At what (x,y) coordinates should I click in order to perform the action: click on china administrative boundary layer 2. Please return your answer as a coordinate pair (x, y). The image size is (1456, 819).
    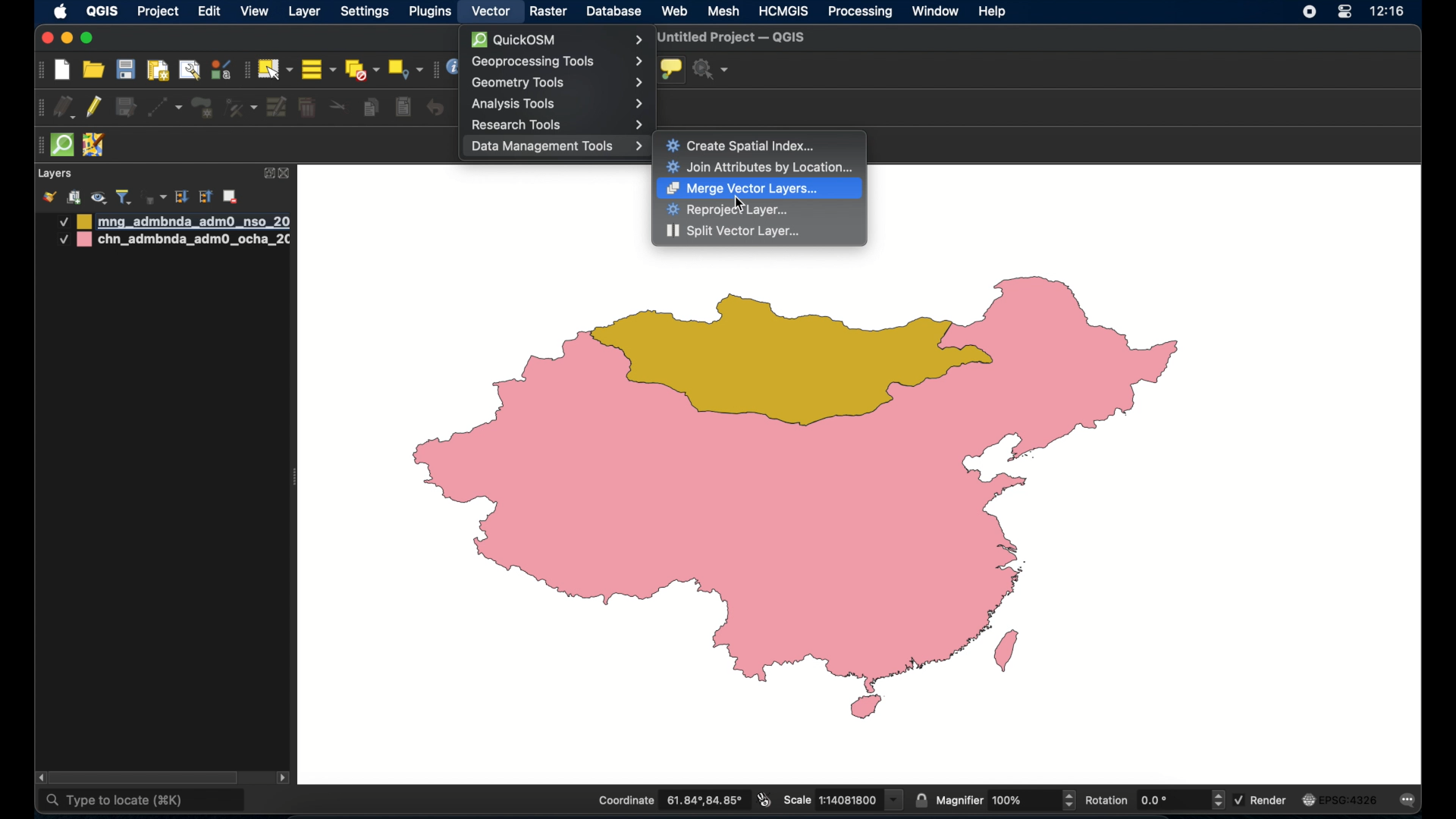
    Looking at the image, I should click on (174, 241).